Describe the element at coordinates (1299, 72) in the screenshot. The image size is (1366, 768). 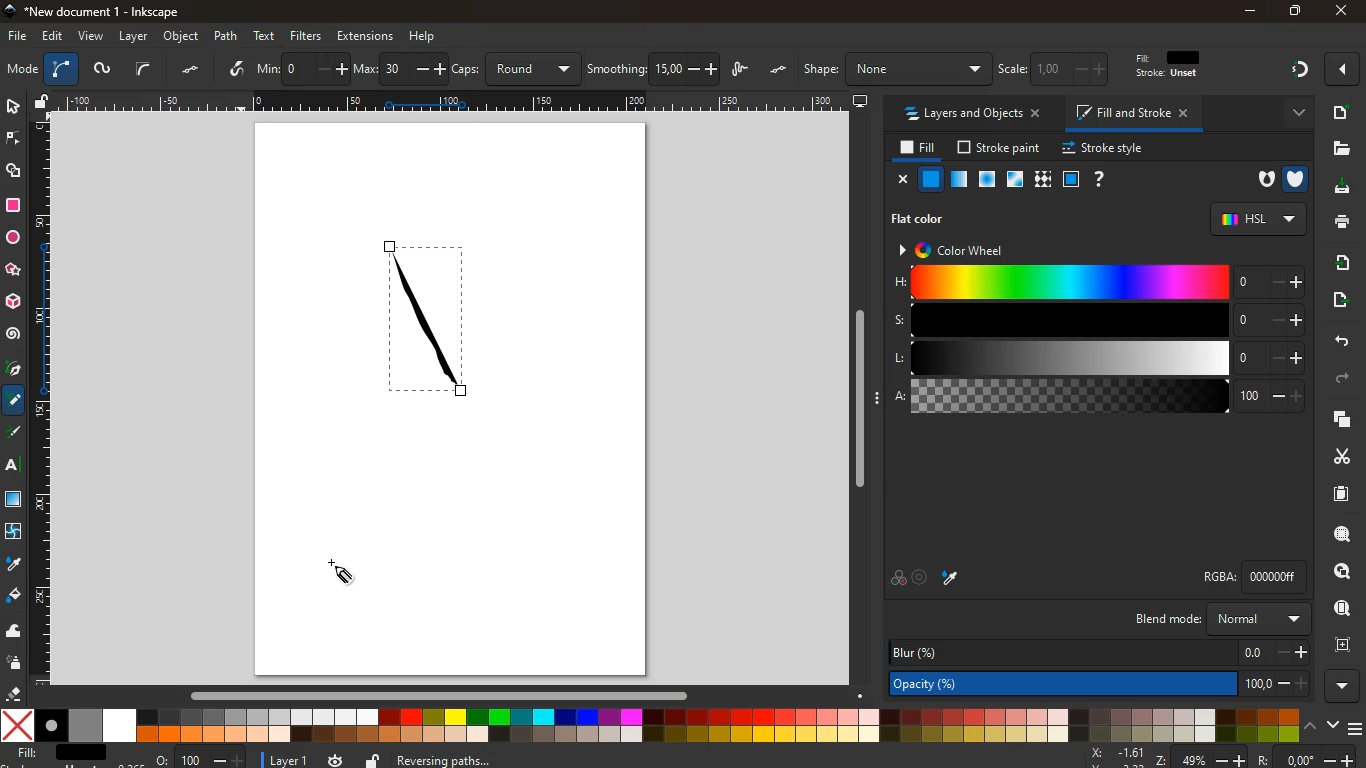
I see `diagram` at that location.